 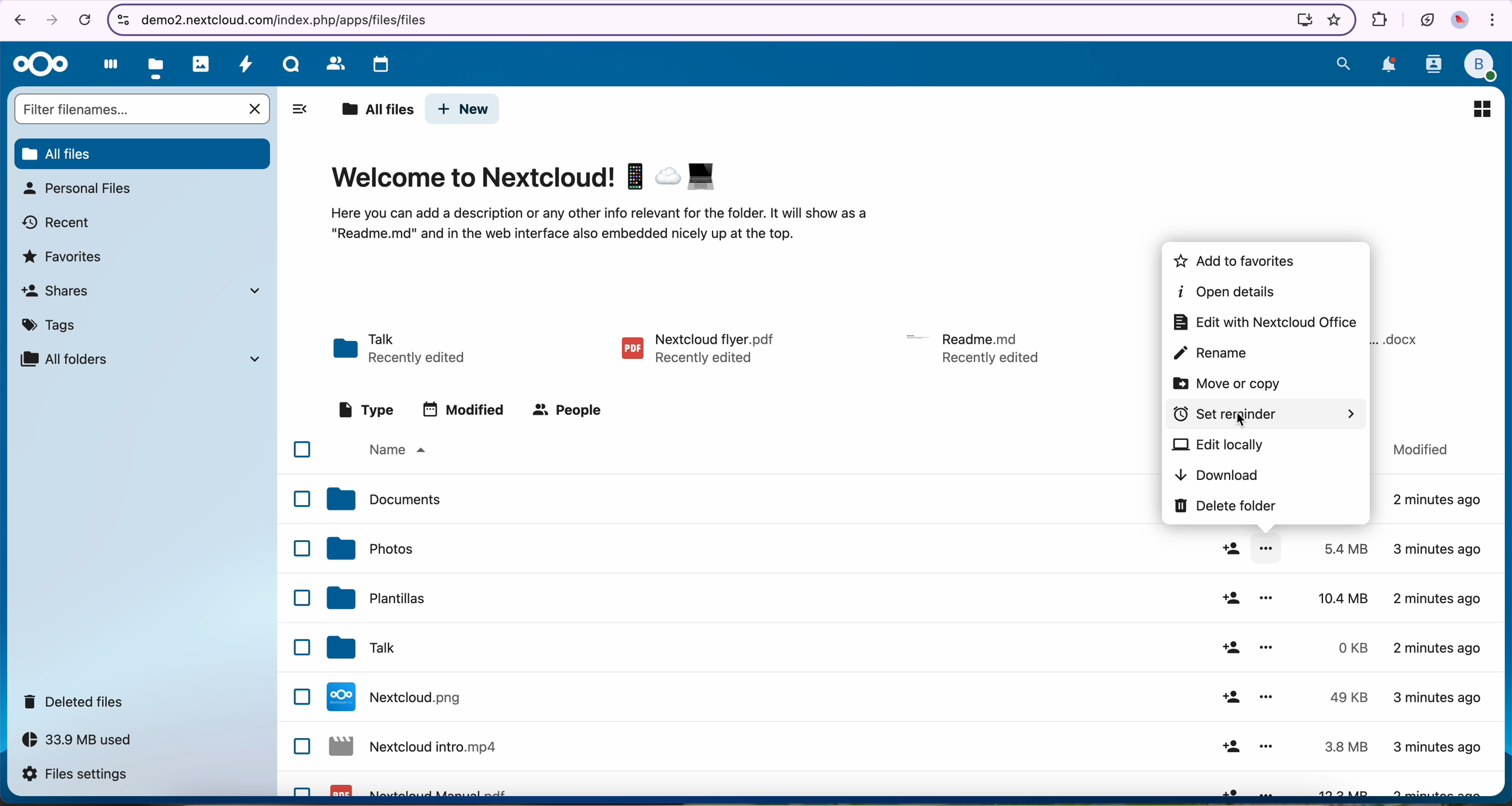 What do you see at coordinates (1344, 648) in the screenshot?
I see `0` at bounding box center [1344, 648].